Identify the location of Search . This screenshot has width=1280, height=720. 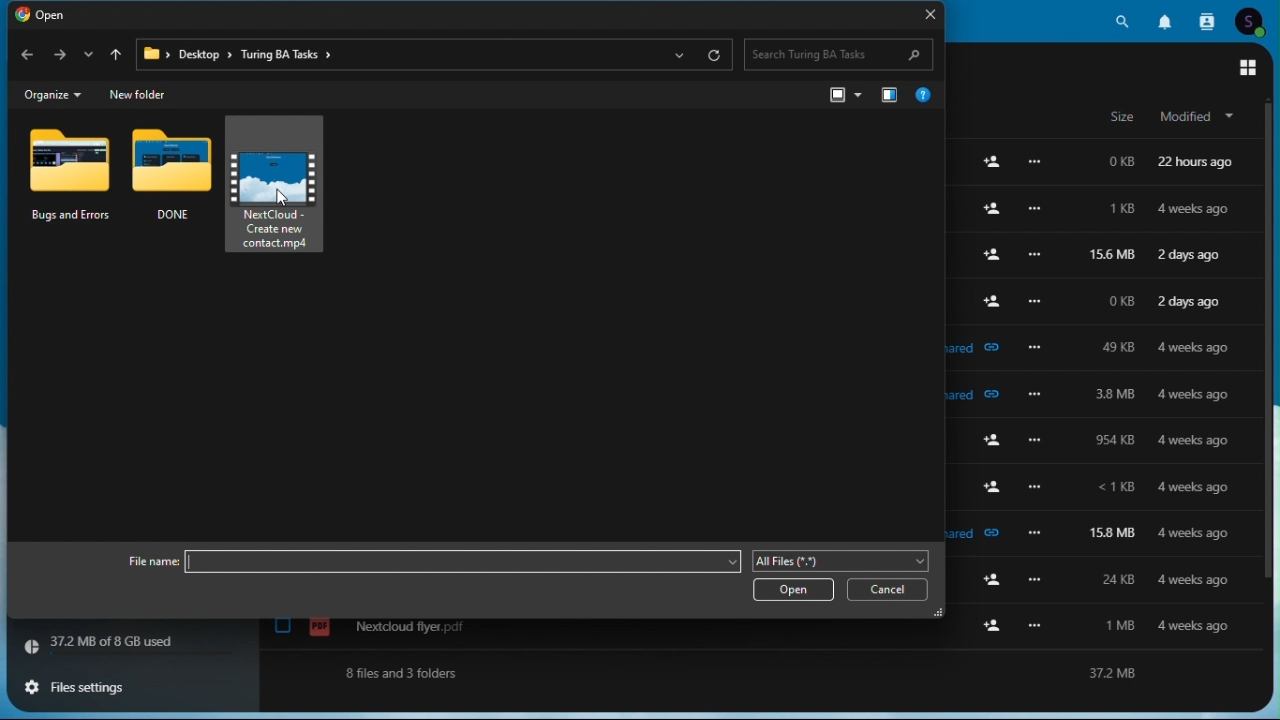
(1122, 21).